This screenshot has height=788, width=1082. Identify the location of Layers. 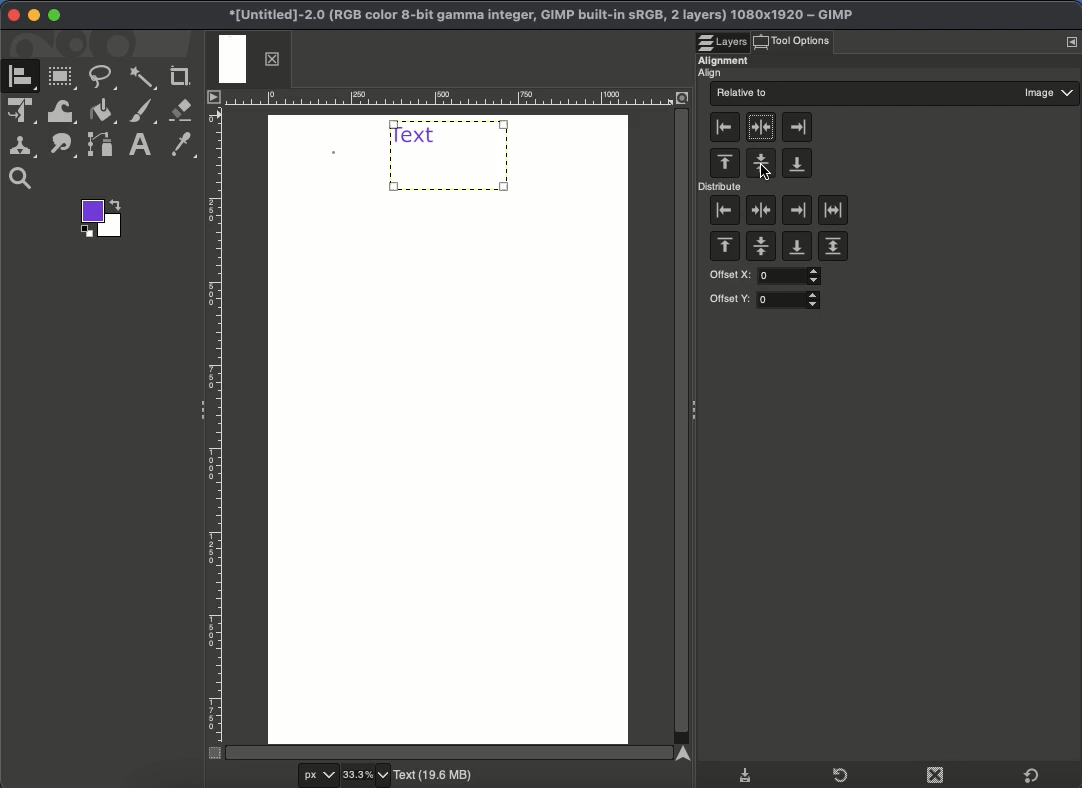
(724, 36).